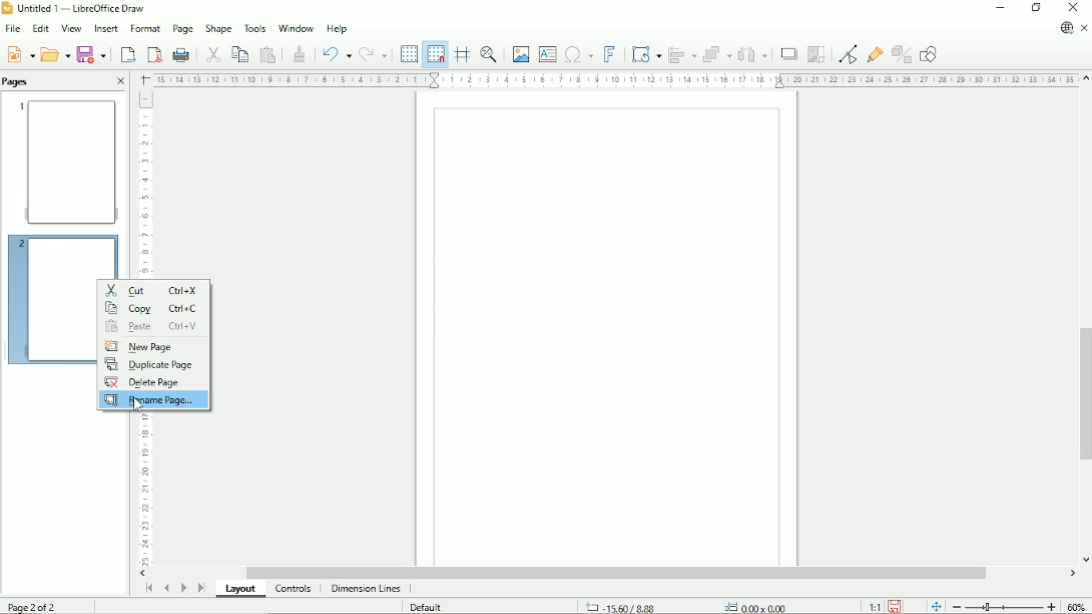 The height and width of the screenshot is (614, 1092). What do you see at coordinates (65, 161) in the screenshot?
I see `Preview` at bounding box center [65, 161].